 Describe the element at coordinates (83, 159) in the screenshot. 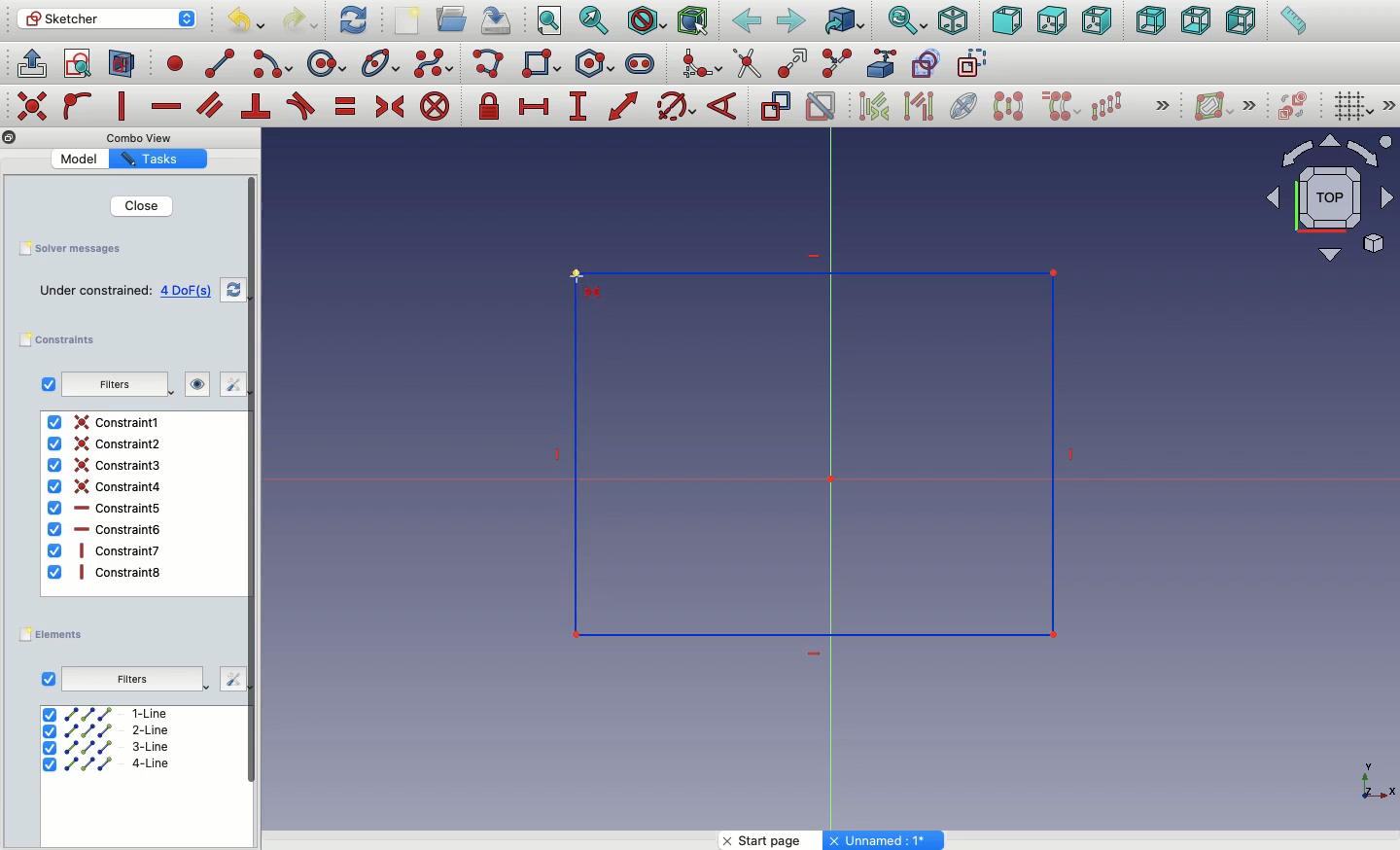

I see `Model` at that location.